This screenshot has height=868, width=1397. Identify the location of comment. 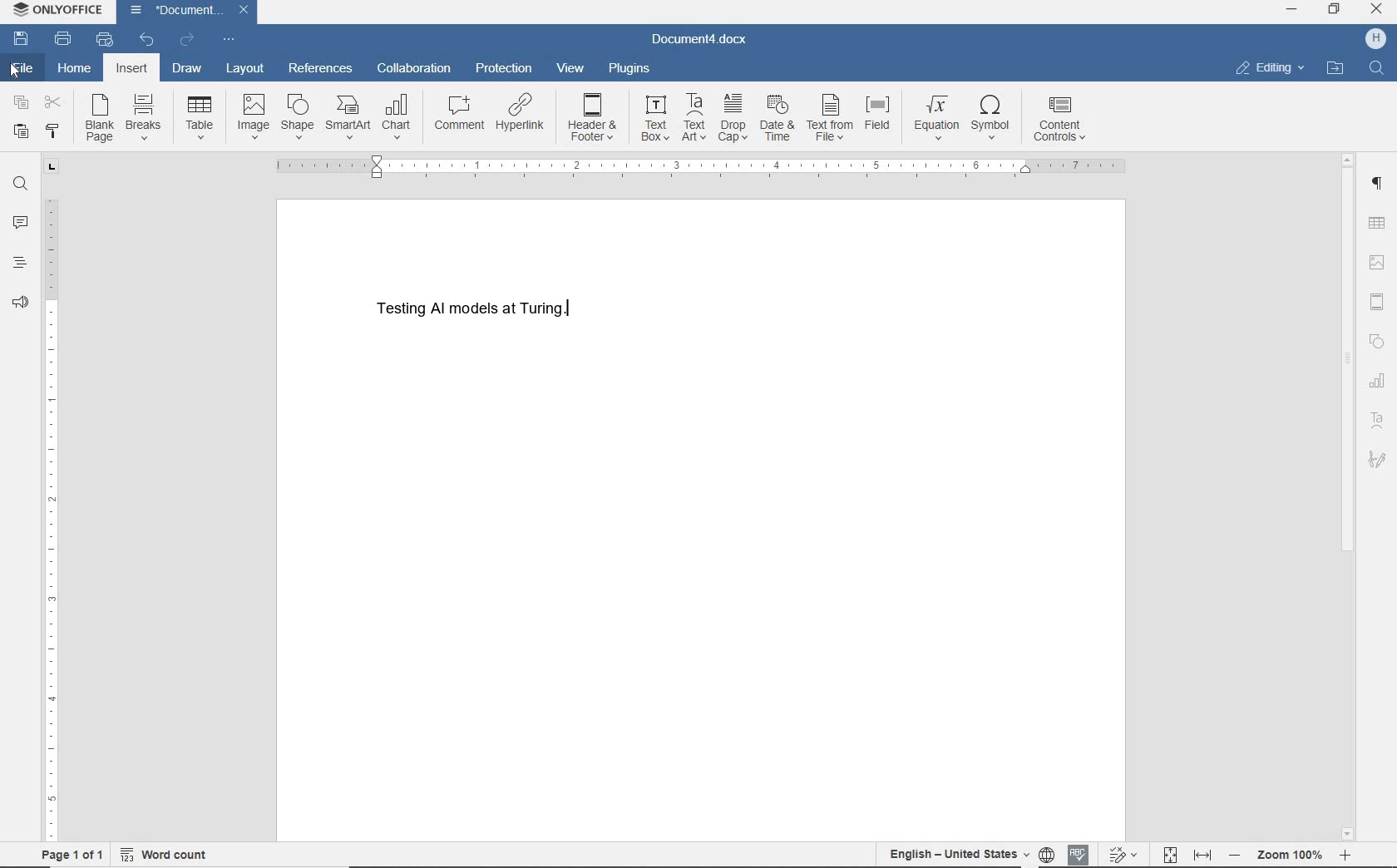
(456, 114).